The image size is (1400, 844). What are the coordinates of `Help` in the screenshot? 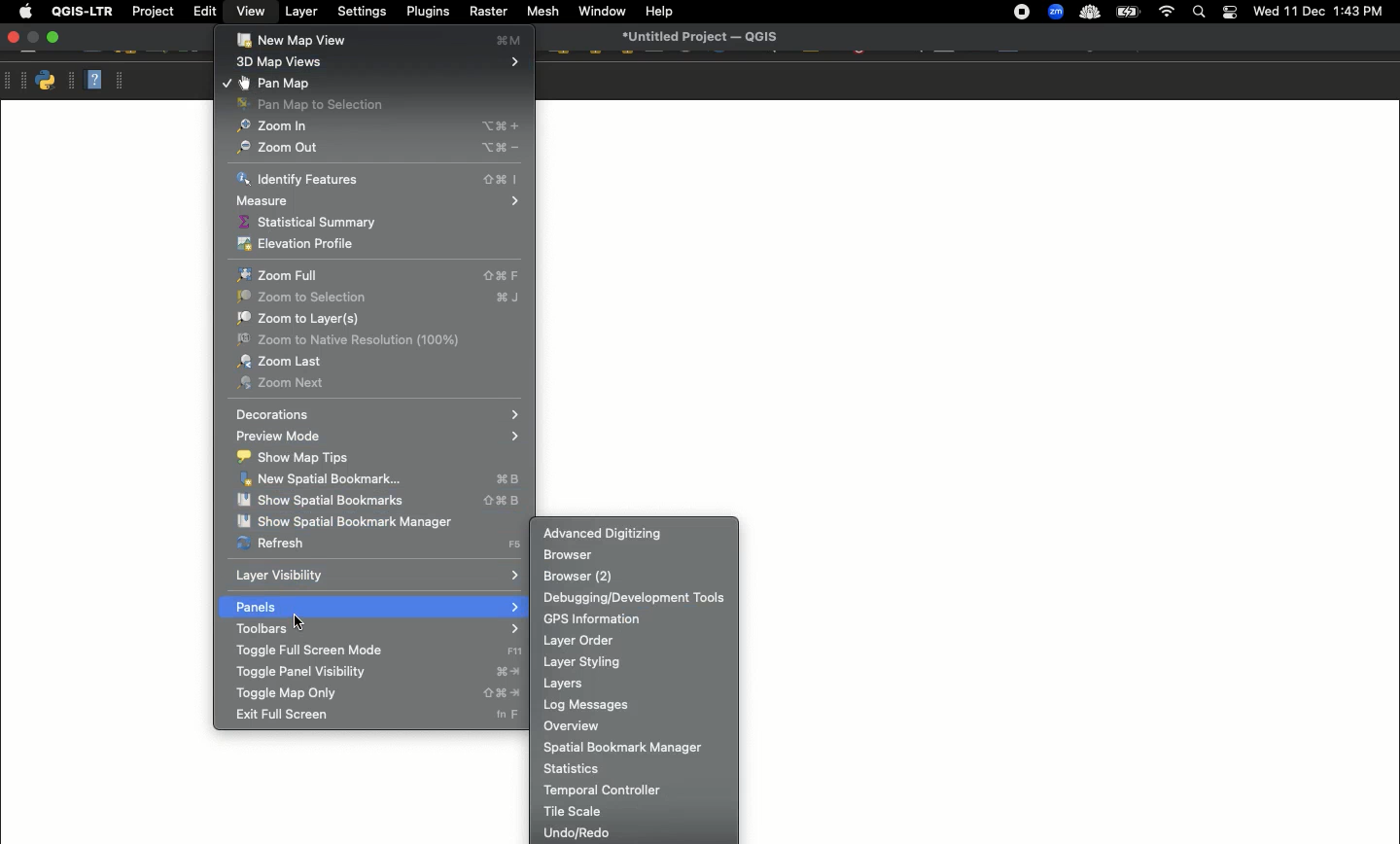 It's located at (93, 79).